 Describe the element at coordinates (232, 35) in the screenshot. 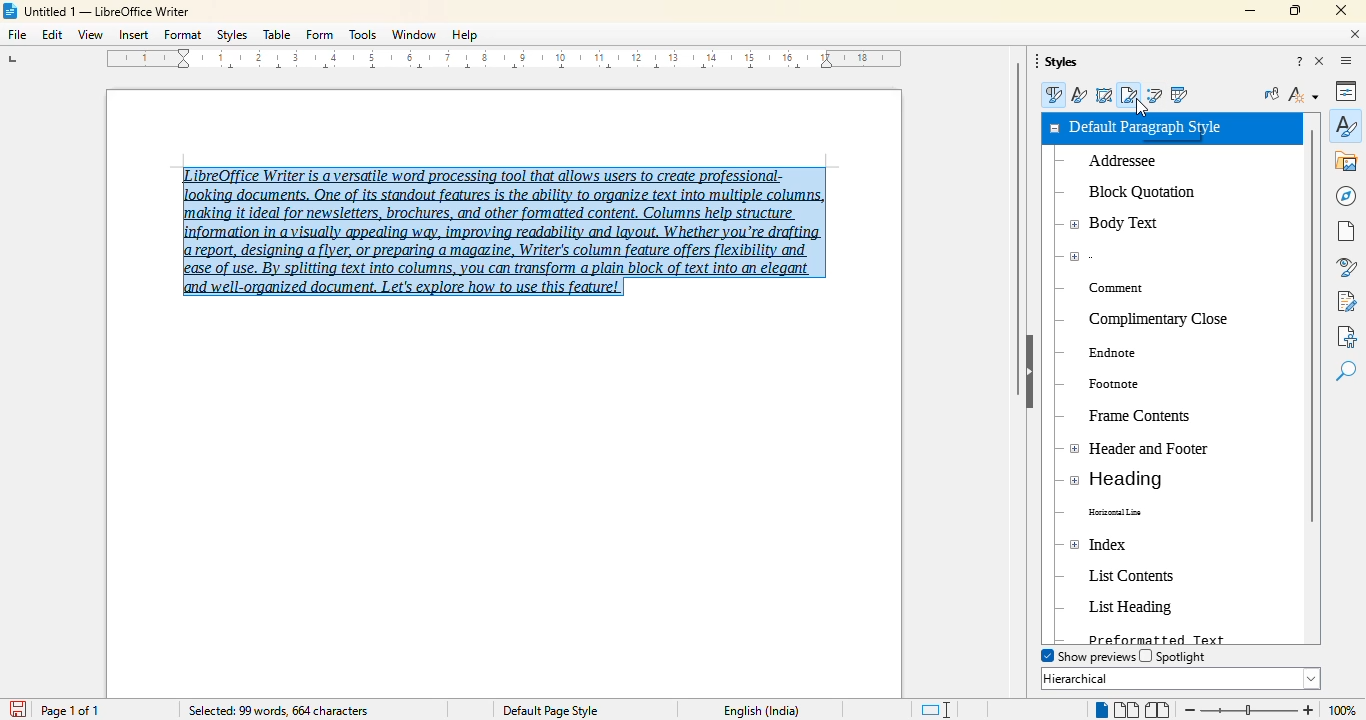

I see `styles` at that location.